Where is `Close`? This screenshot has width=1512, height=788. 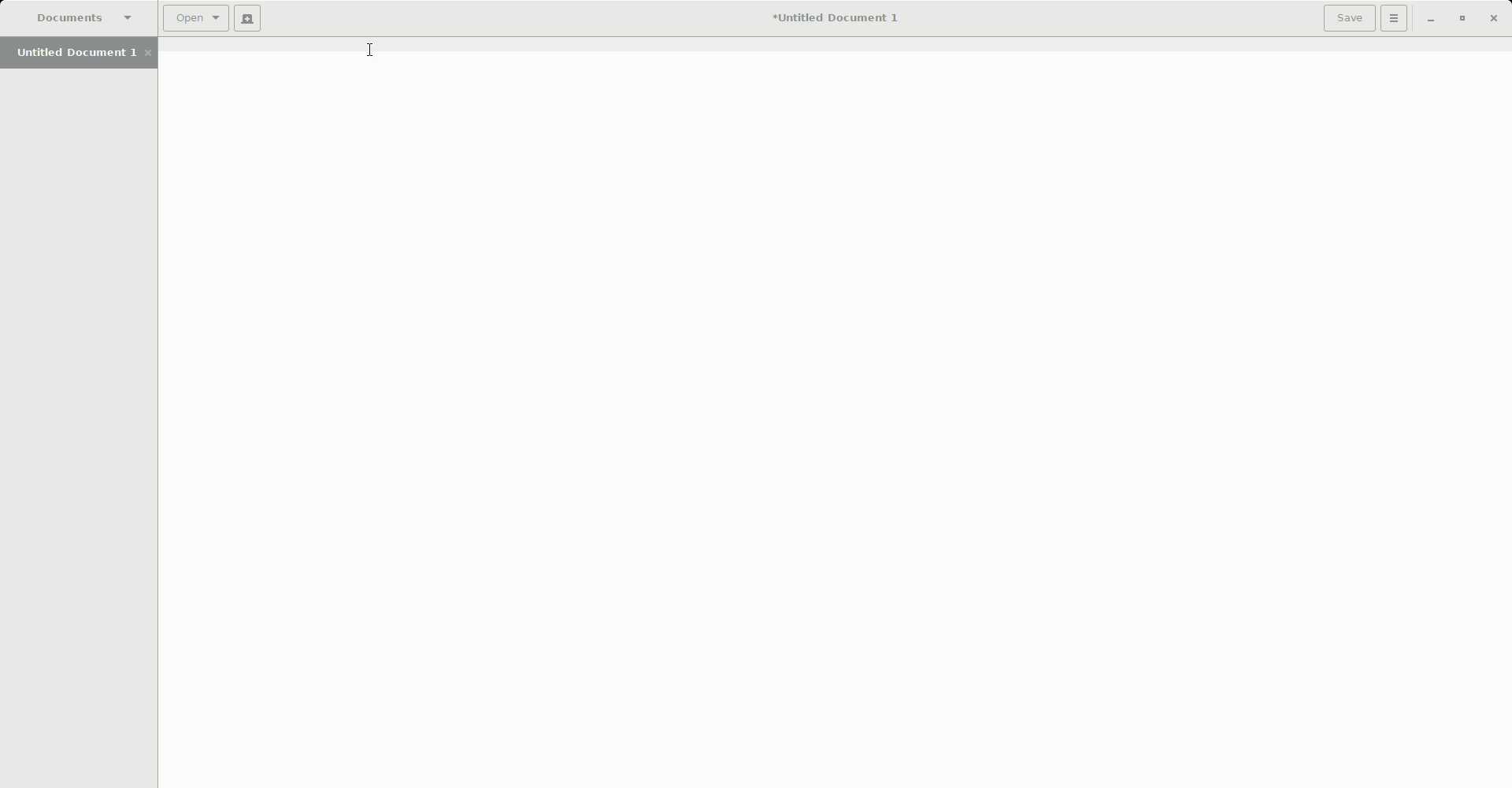
Close is located at coordinates (1494, 18).